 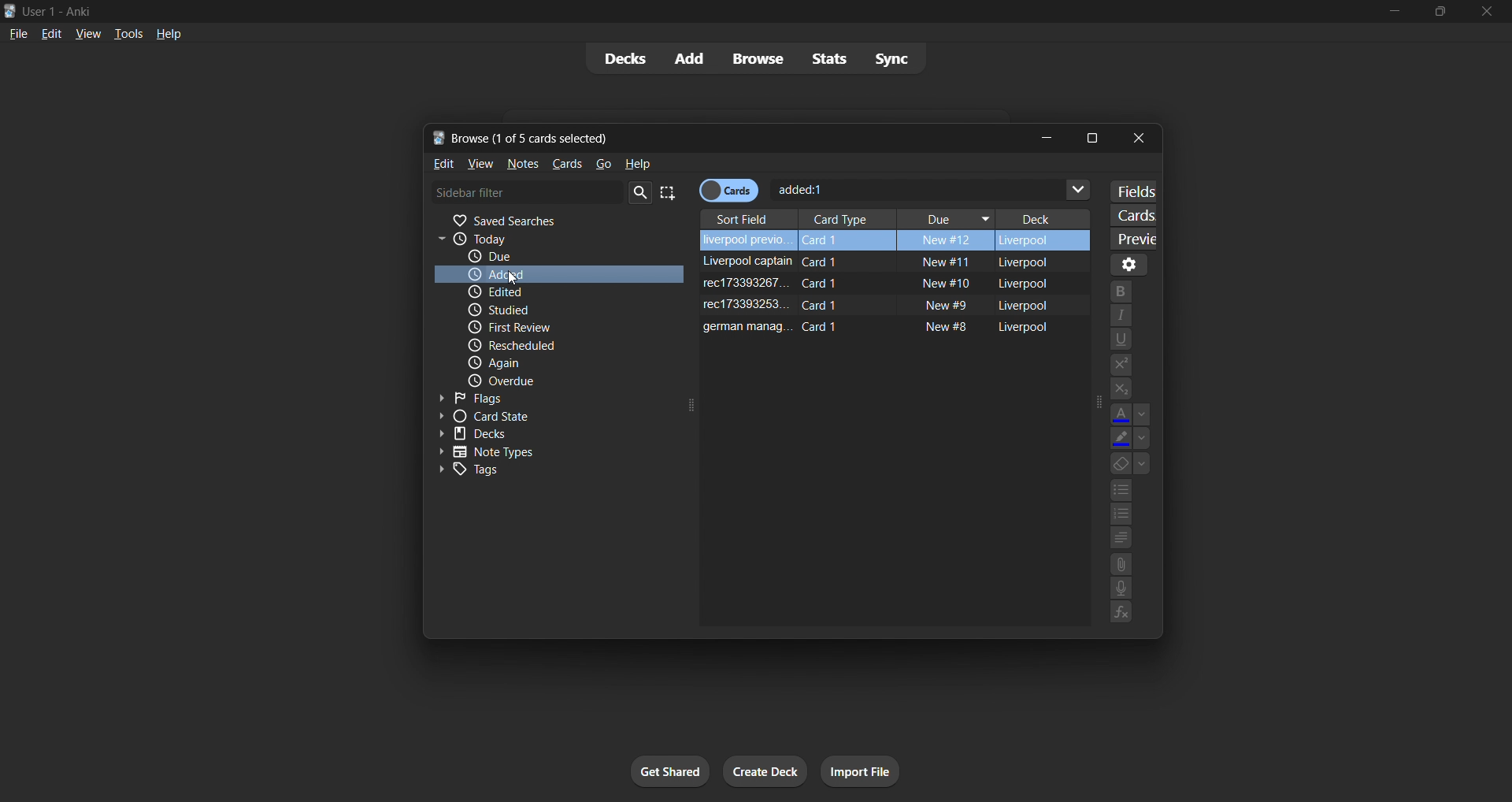 What do you see at coordinates (543, 192) in the screenshot?
I see `search filter` at bounding box center [543, 192].